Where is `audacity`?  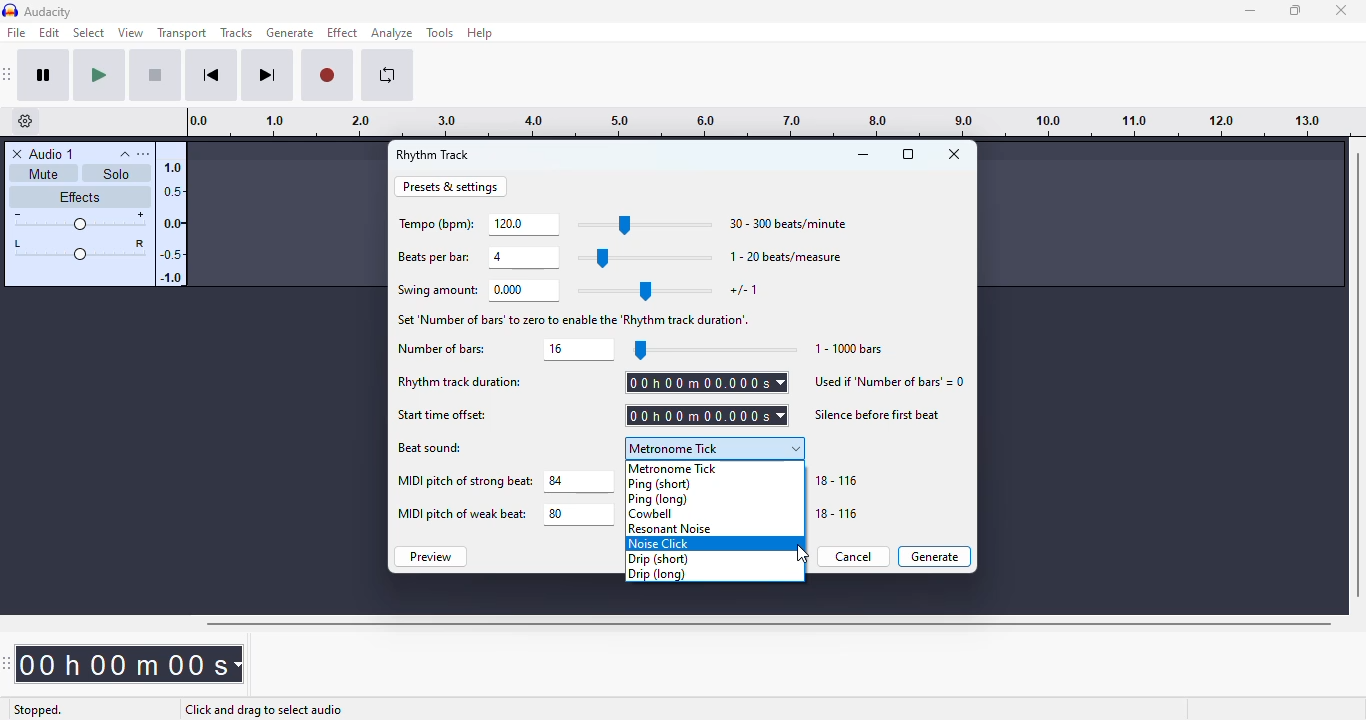
audacity is located at coordinates (49, 11).